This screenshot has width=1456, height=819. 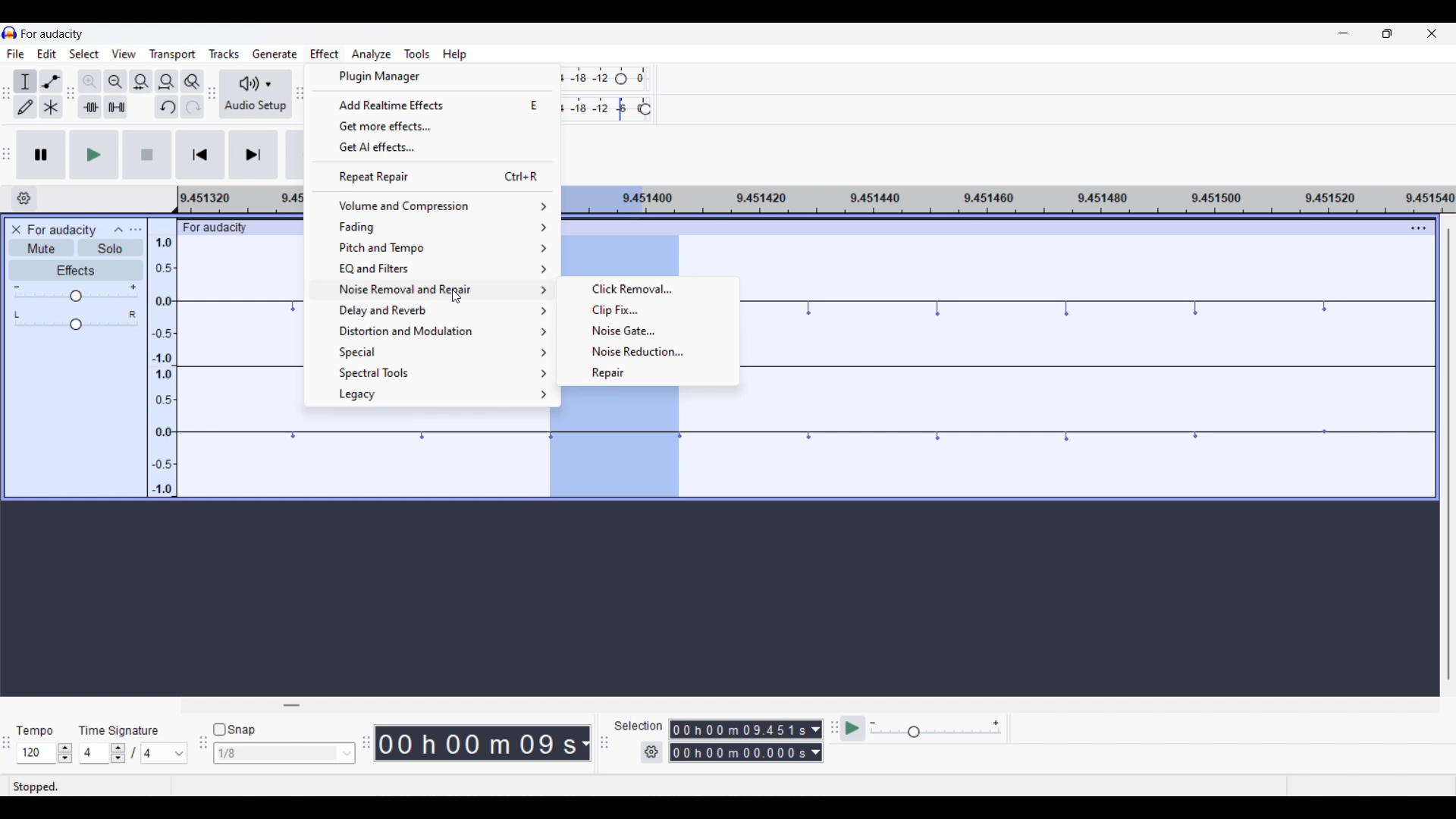 What do you see at coordinates (133, 754) in the screenshot?
I see `Time signature settings` at bounding box center [133, 754].